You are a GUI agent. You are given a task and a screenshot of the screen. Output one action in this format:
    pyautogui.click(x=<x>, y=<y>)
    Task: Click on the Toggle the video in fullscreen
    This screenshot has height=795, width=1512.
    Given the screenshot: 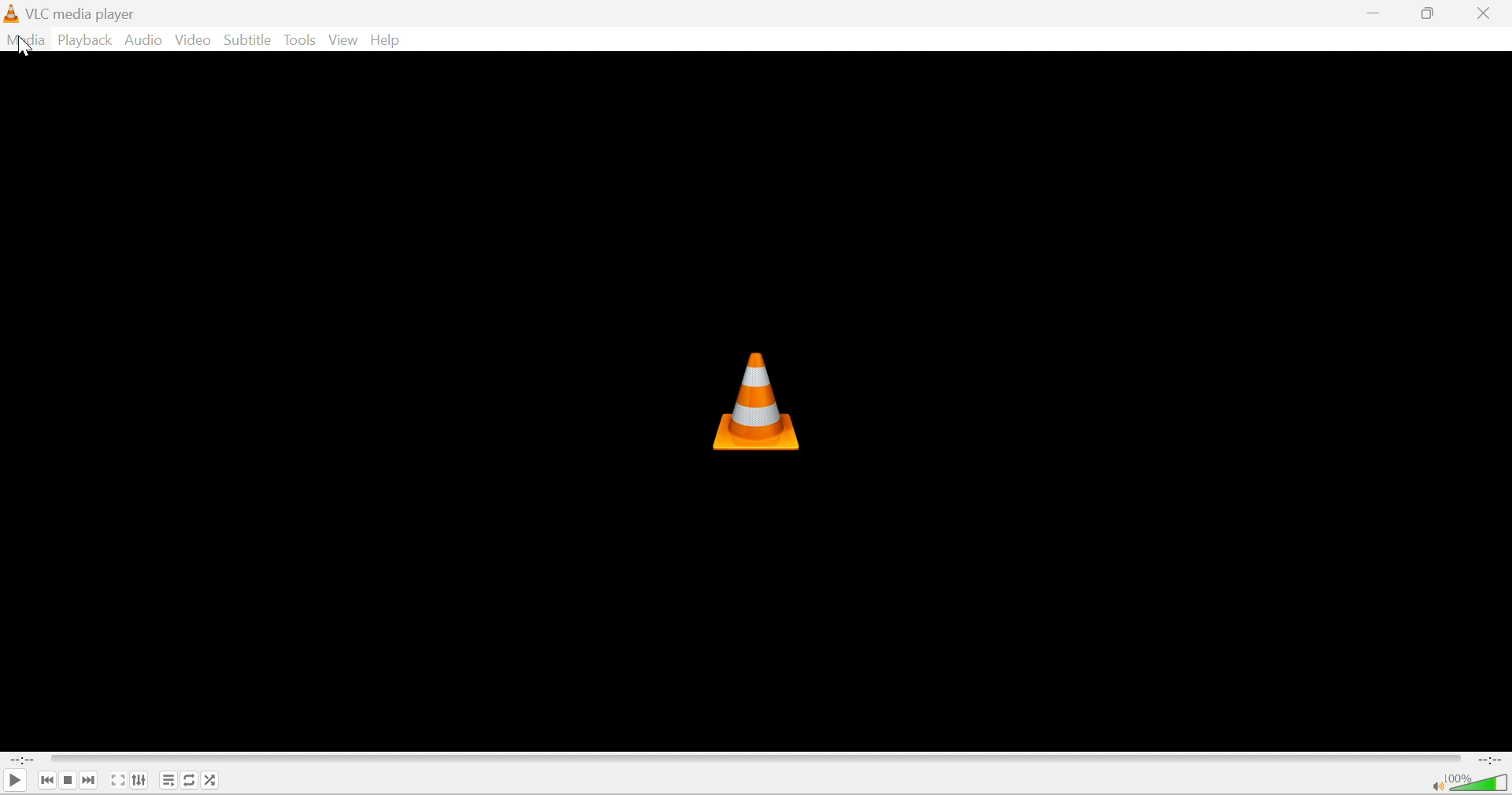 What is the action you would take?
    pyautogui.click(x=118, y=782)
    